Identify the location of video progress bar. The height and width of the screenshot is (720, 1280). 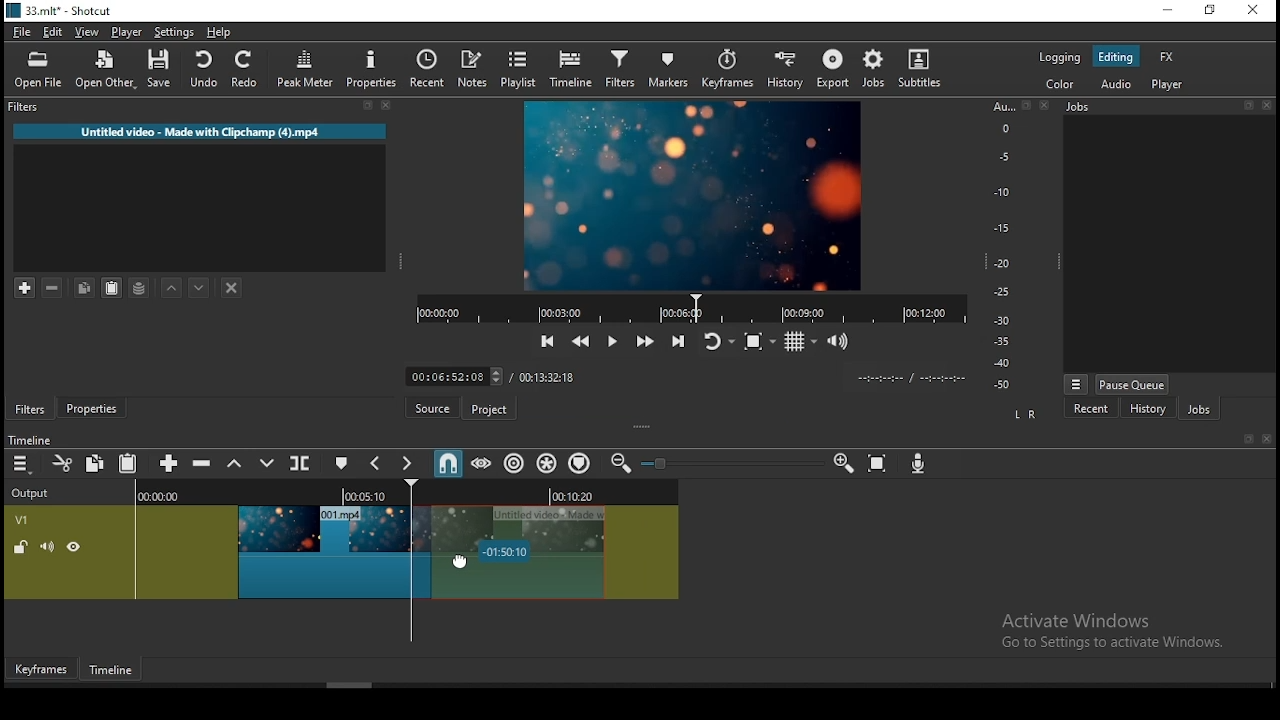
(684, 309).